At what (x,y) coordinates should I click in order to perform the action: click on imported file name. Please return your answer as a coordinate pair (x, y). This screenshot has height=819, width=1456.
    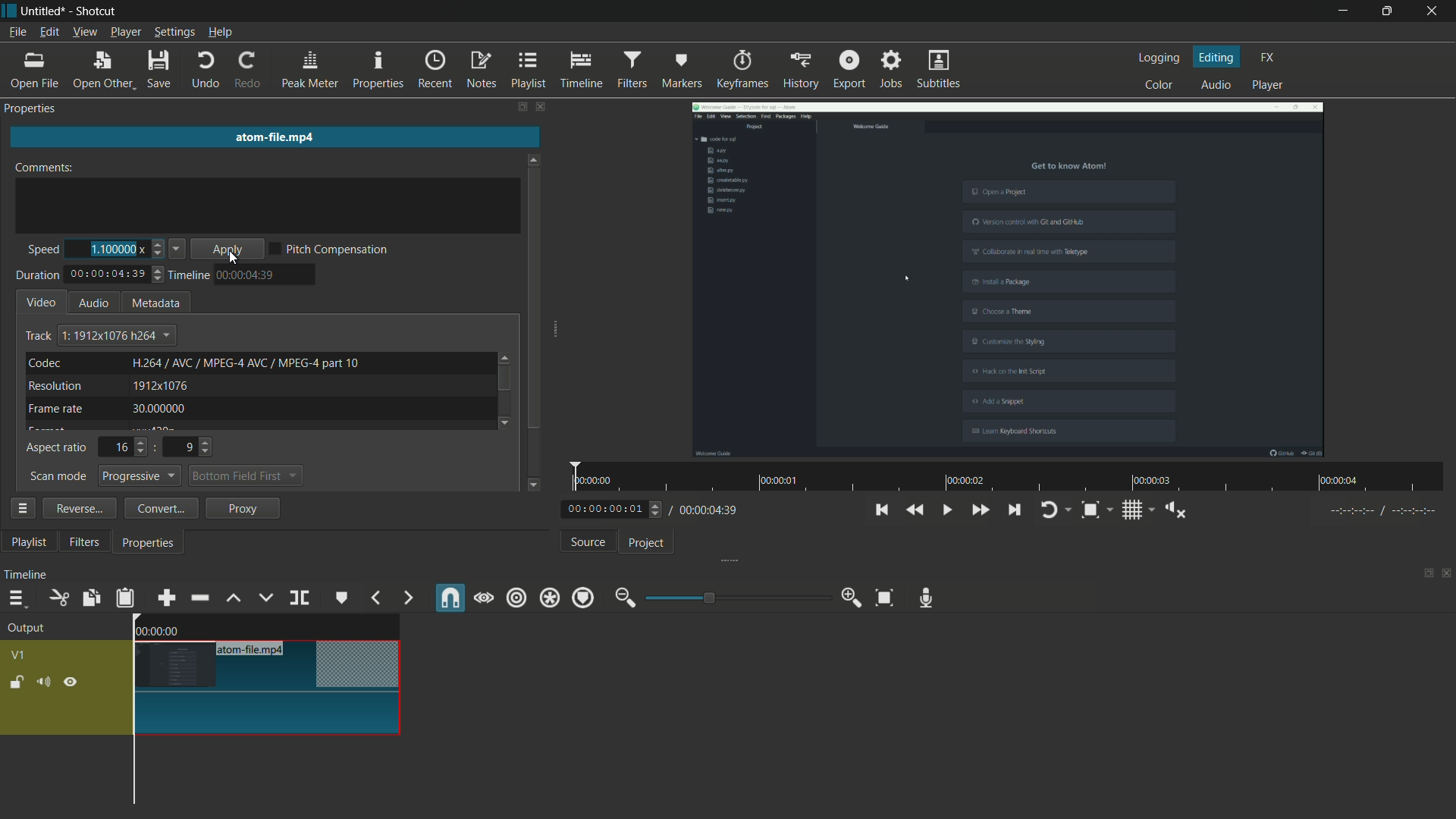
    Looking at the image, I should click on (275, 133).